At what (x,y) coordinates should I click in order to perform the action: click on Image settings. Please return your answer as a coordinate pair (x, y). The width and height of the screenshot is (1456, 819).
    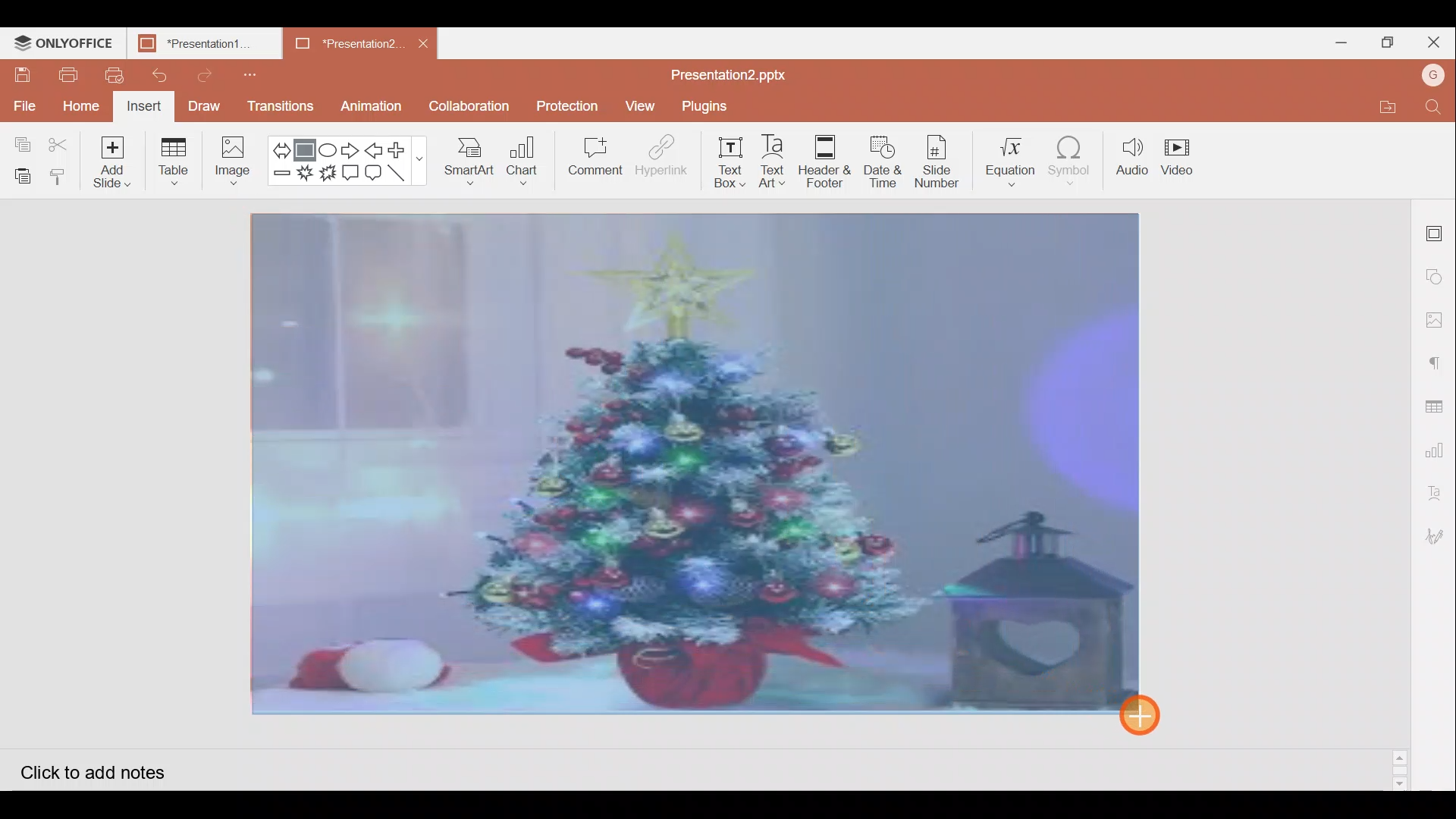
    Looking at the image, I should click on (1439, 320).